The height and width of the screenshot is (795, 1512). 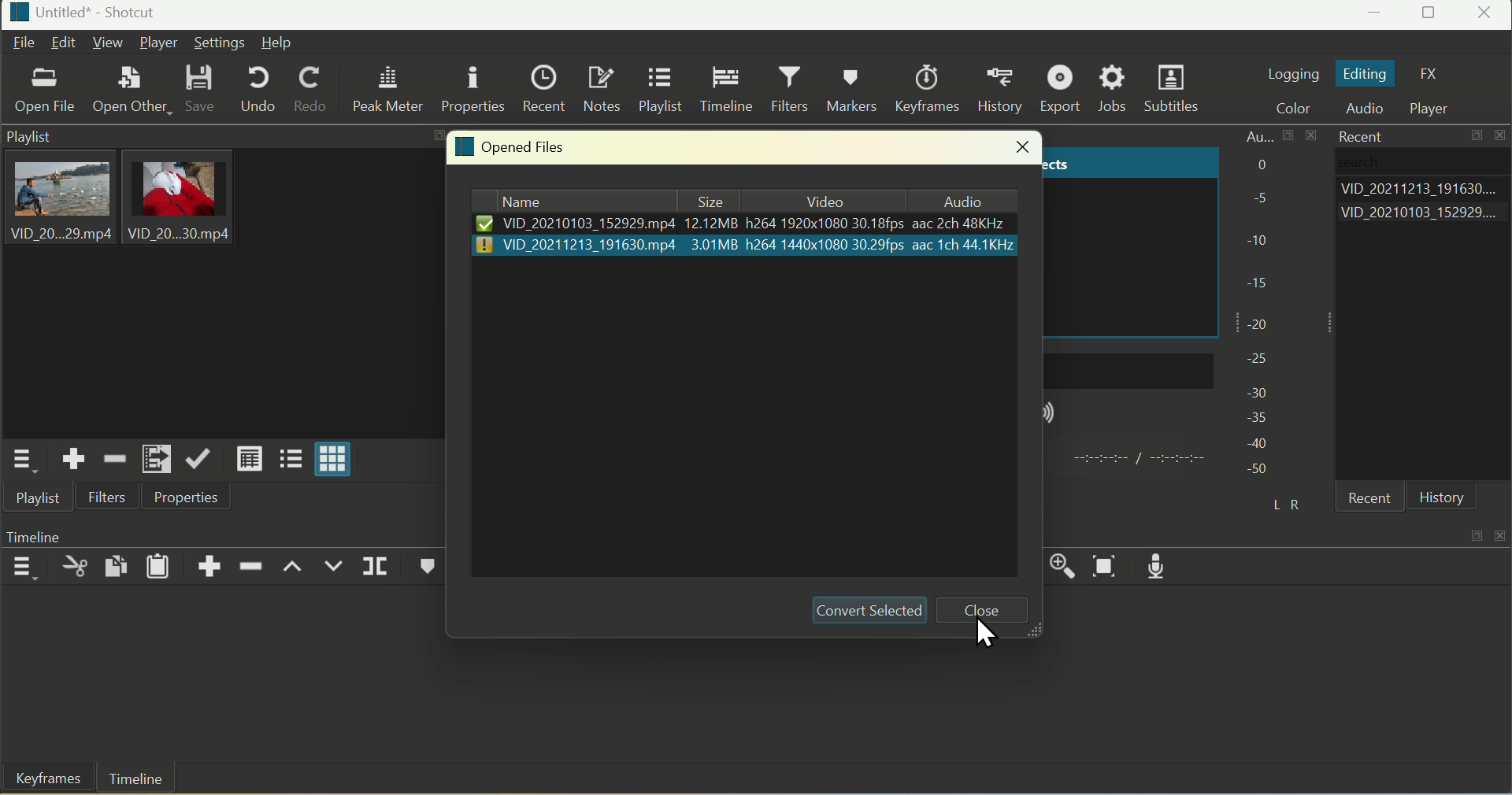 What do you see at coordinates (1004, 89) in the screenshot?
I see `History` at bounding box center [1004, 89].